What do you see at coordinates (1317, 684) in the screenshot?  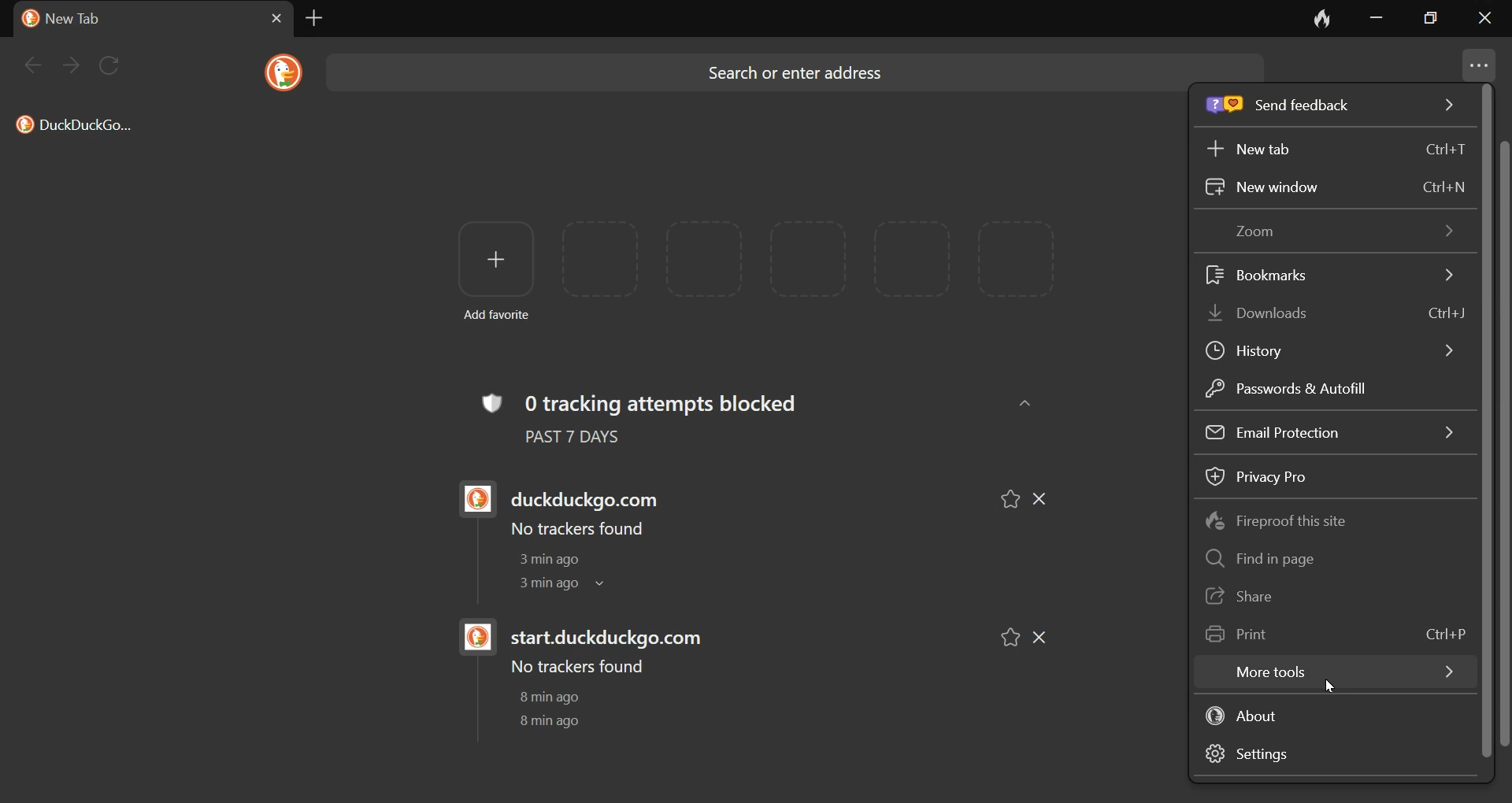 I see `cursor` at bounding box center [1317, 684].